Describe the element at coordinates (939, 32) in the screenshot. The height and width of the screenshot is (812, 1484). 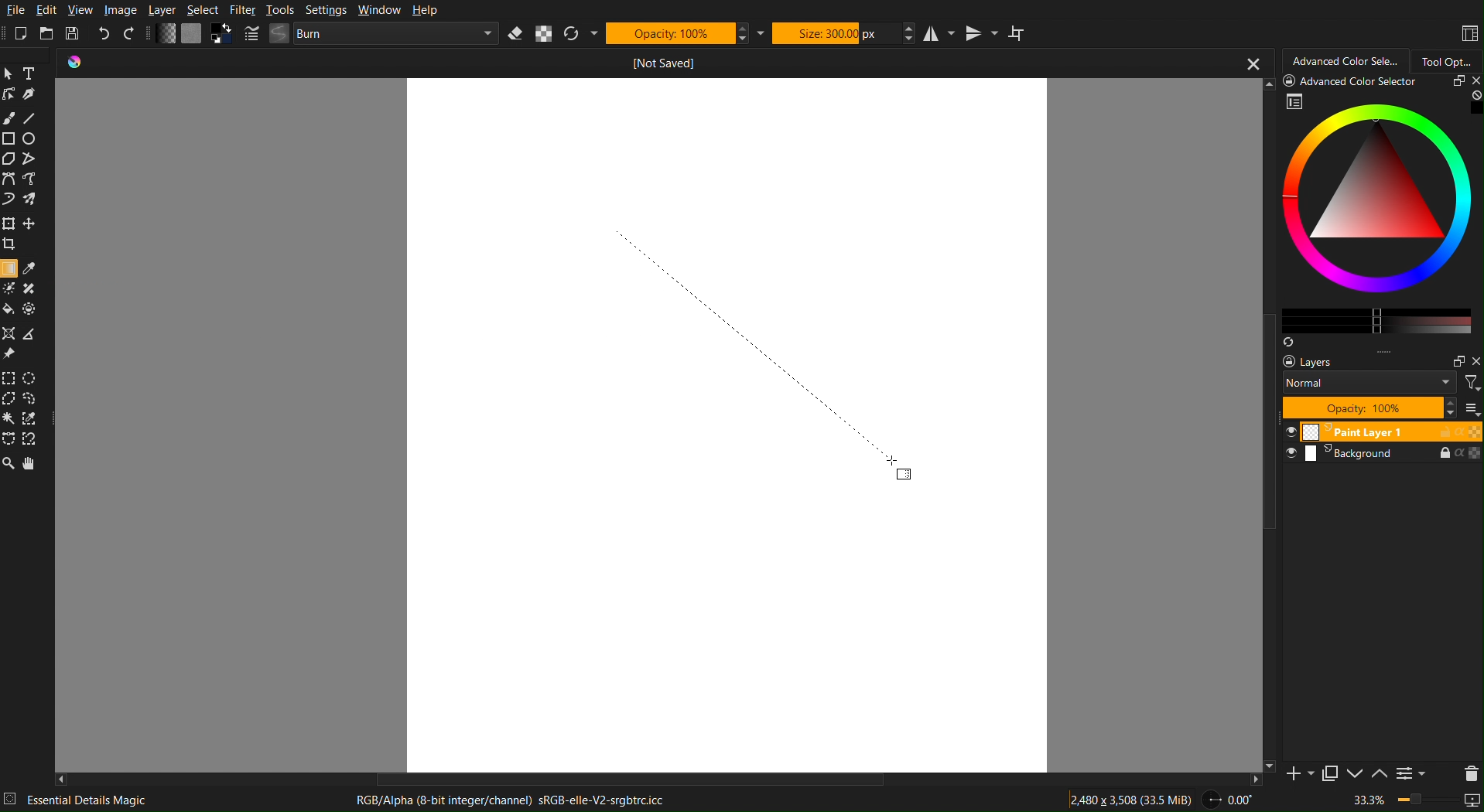
I see `Horizontal Mirror` at that location.